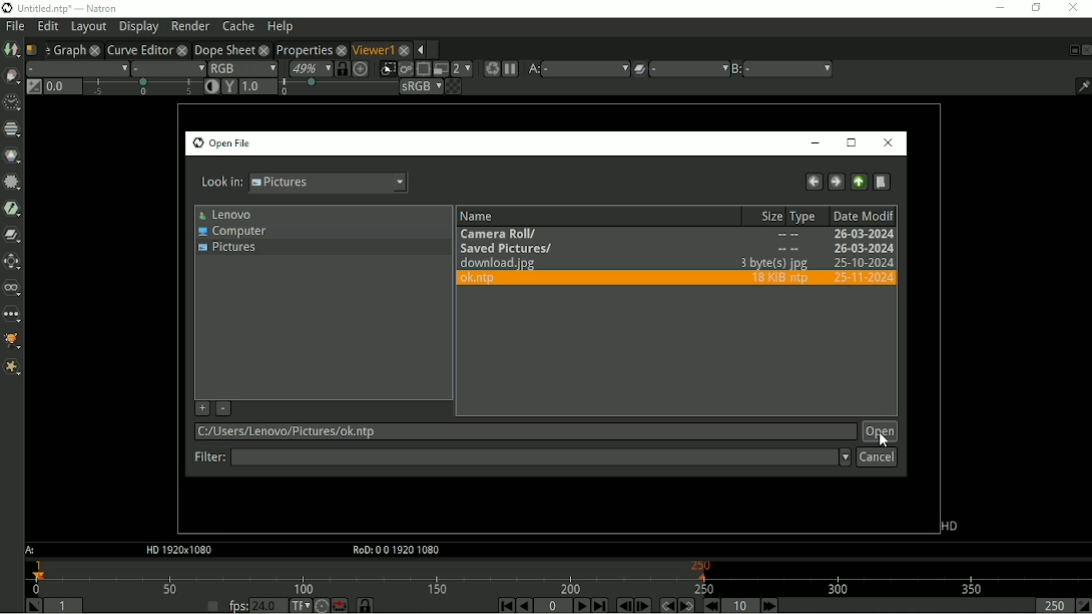 This screenshot has height=614, width=1092. Describe the element at coordinates (89, 8) in the screenshot. I see `title` at that location.